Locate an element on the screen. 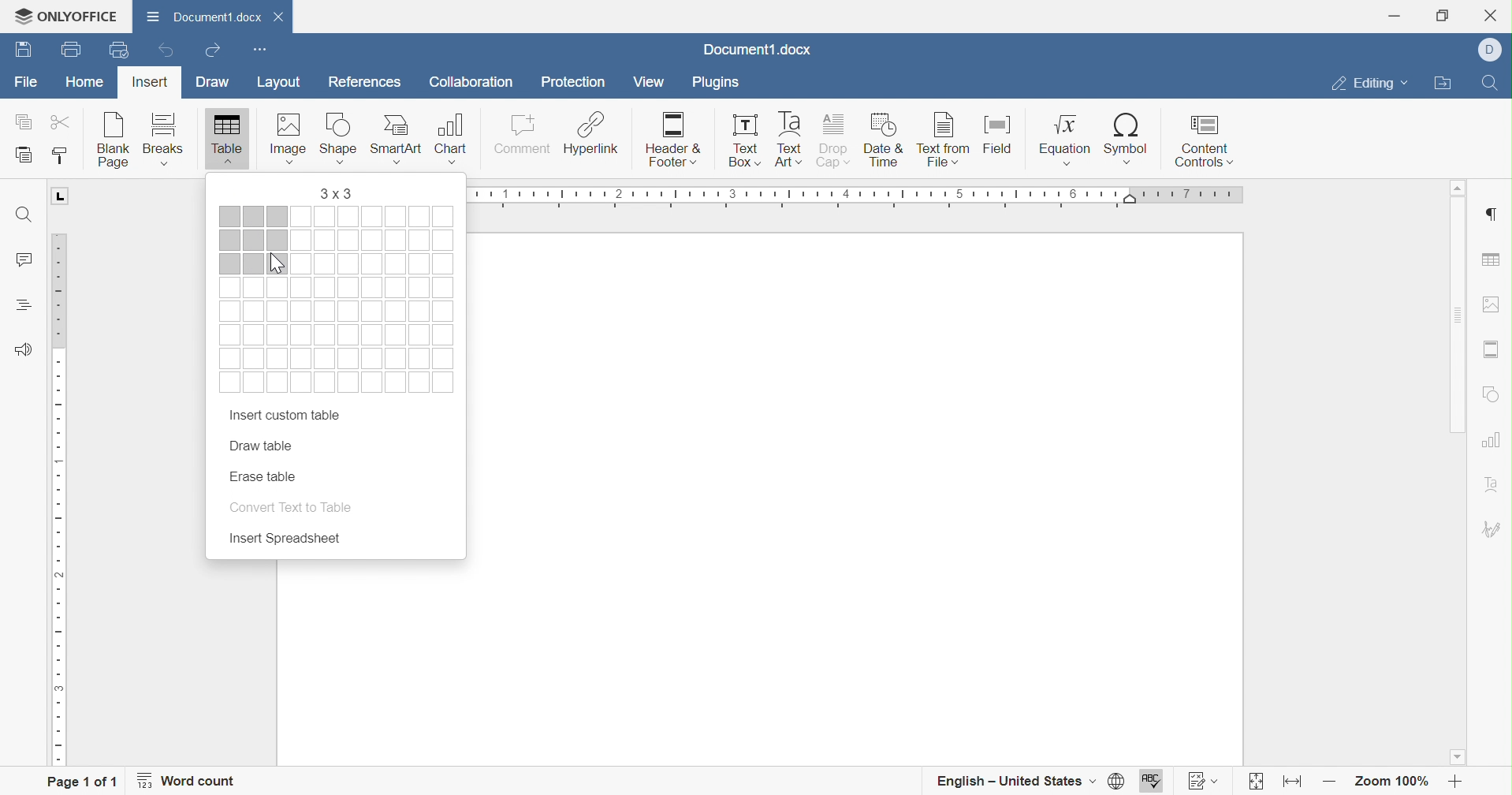 The height and width of the screenshot is (795, 1512). Redo is located at coordinates (216, 49).